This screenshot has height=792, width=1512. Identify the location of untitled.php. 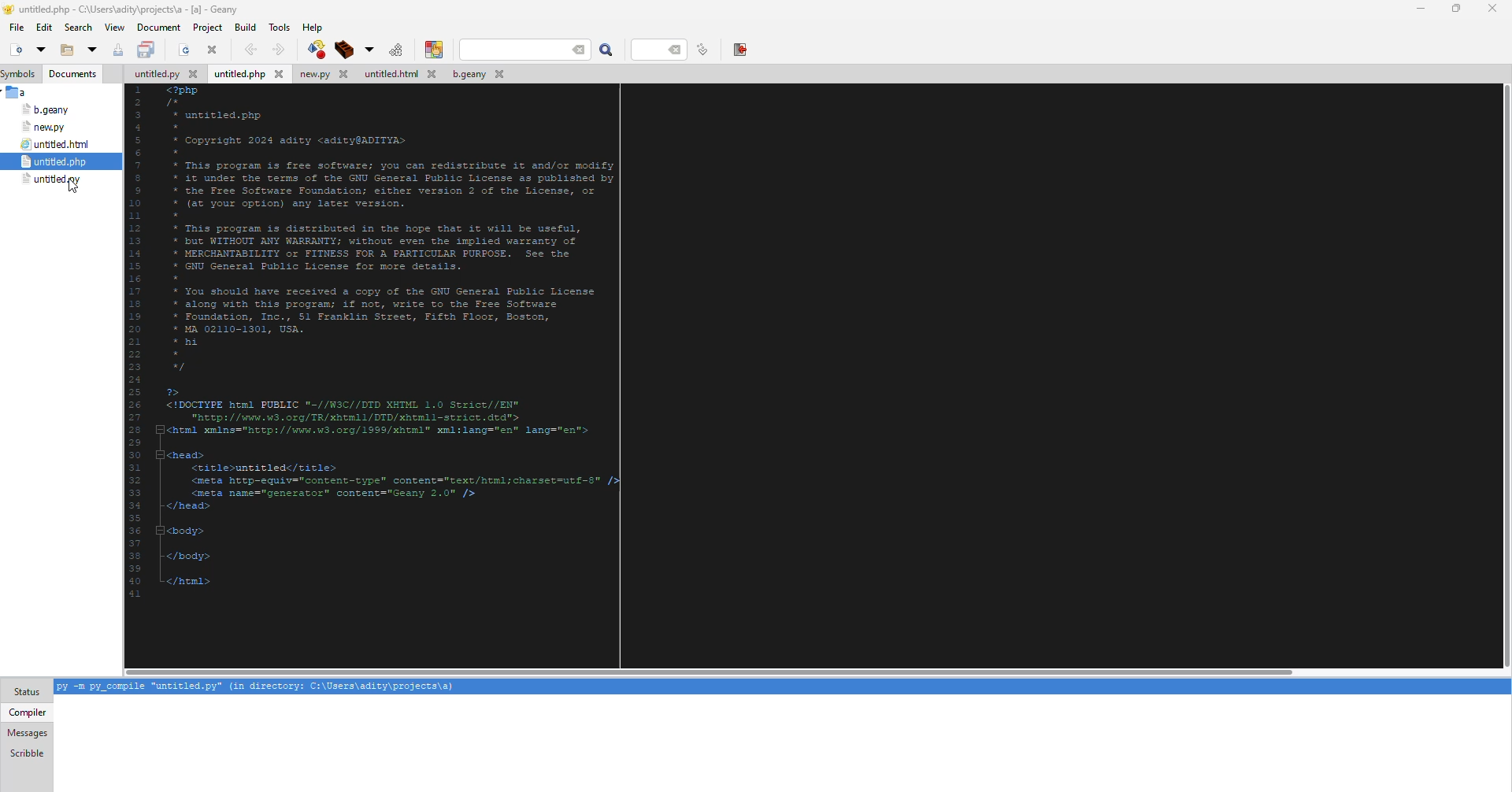
(56, 161).